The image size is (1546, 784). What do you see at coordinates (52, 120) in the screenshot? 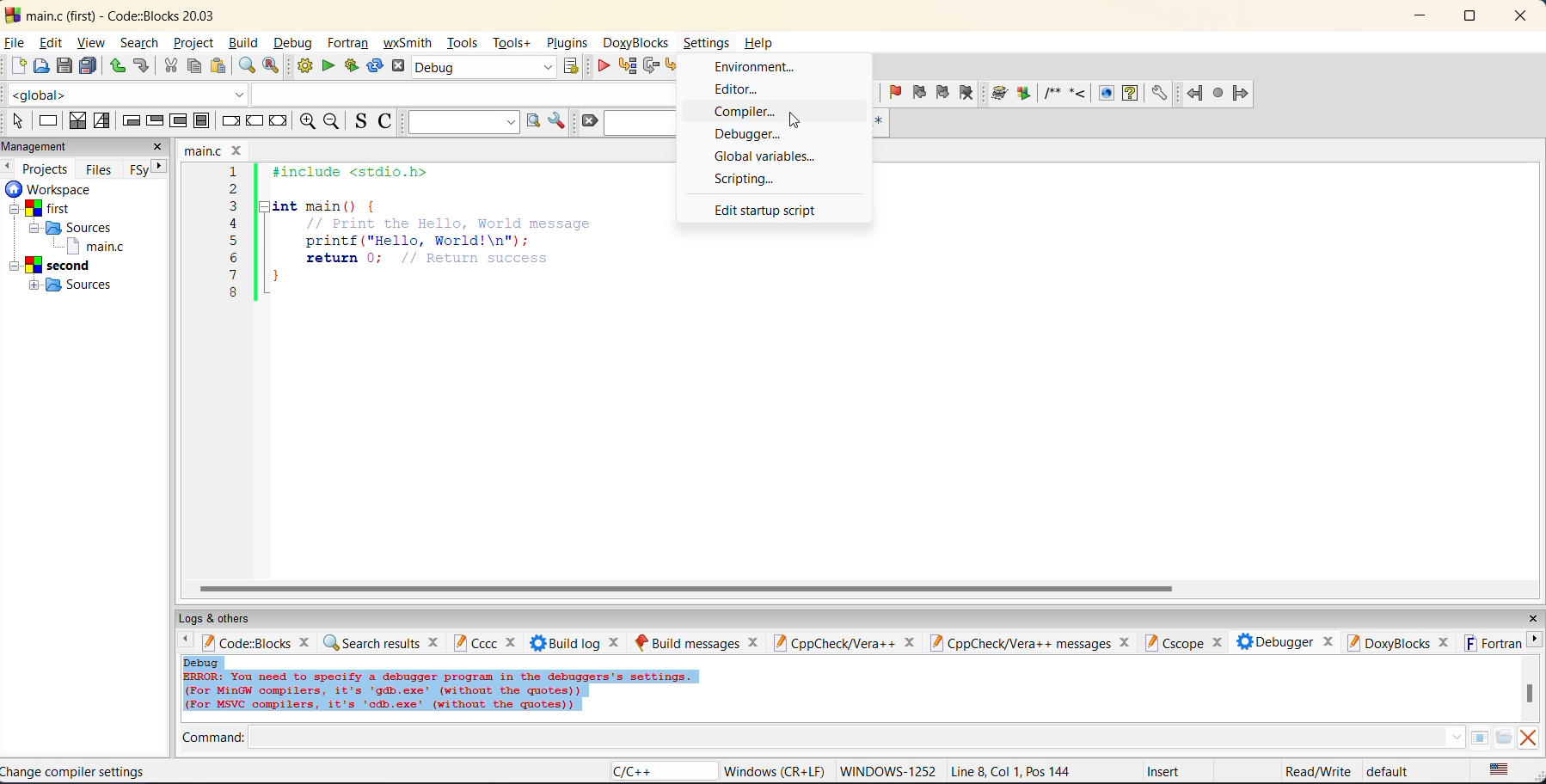
I see `instruction` at bounding box center [52, 120].